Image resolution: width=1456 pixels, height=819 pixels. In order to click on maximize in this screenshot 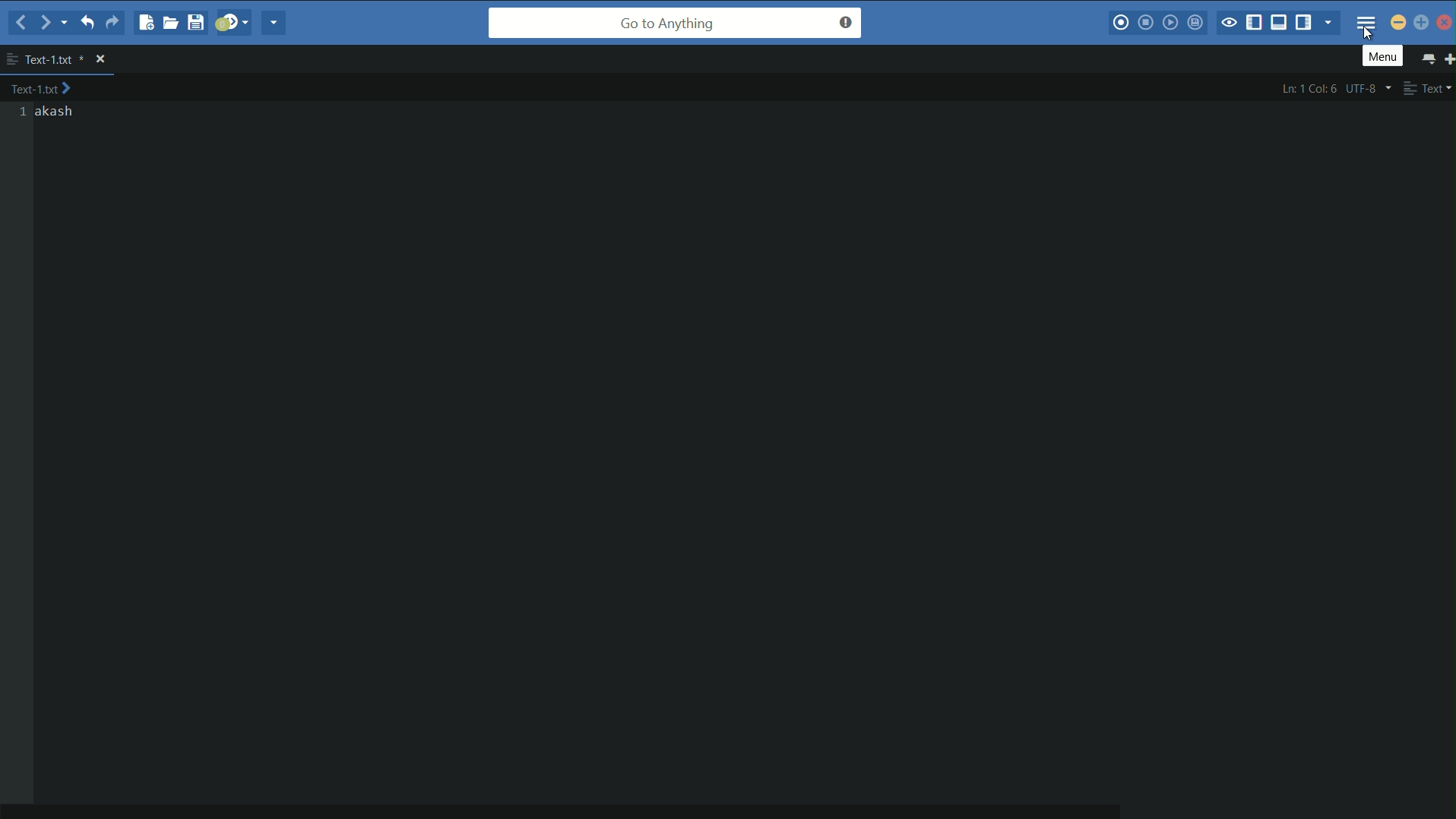, I will do `click(1422, 24)`.